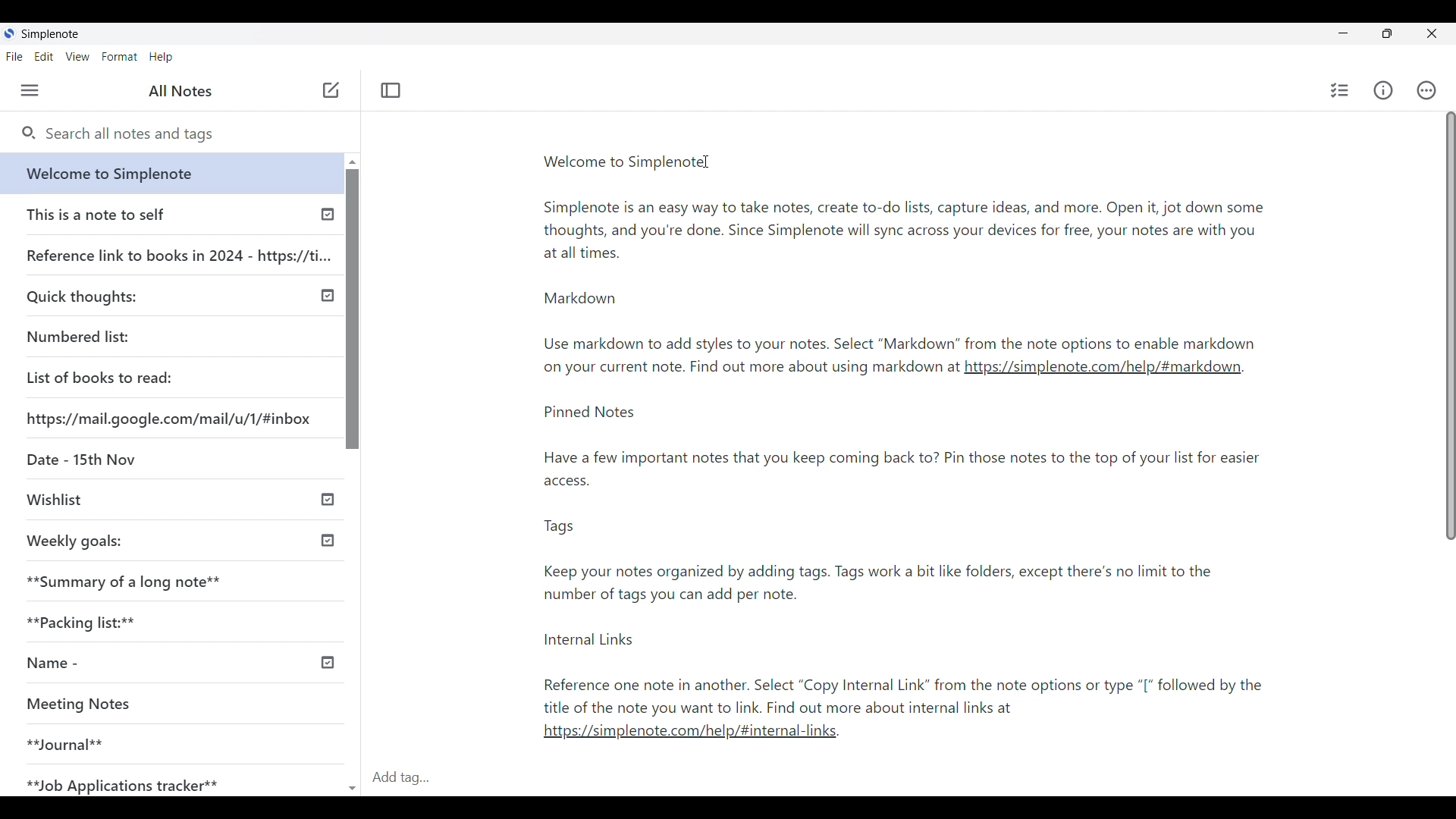 The image size is (1456, 819). What do you see at coordinates (65, 743) in the screenshot?
I see `Journal` at bounding box center [65, 743].